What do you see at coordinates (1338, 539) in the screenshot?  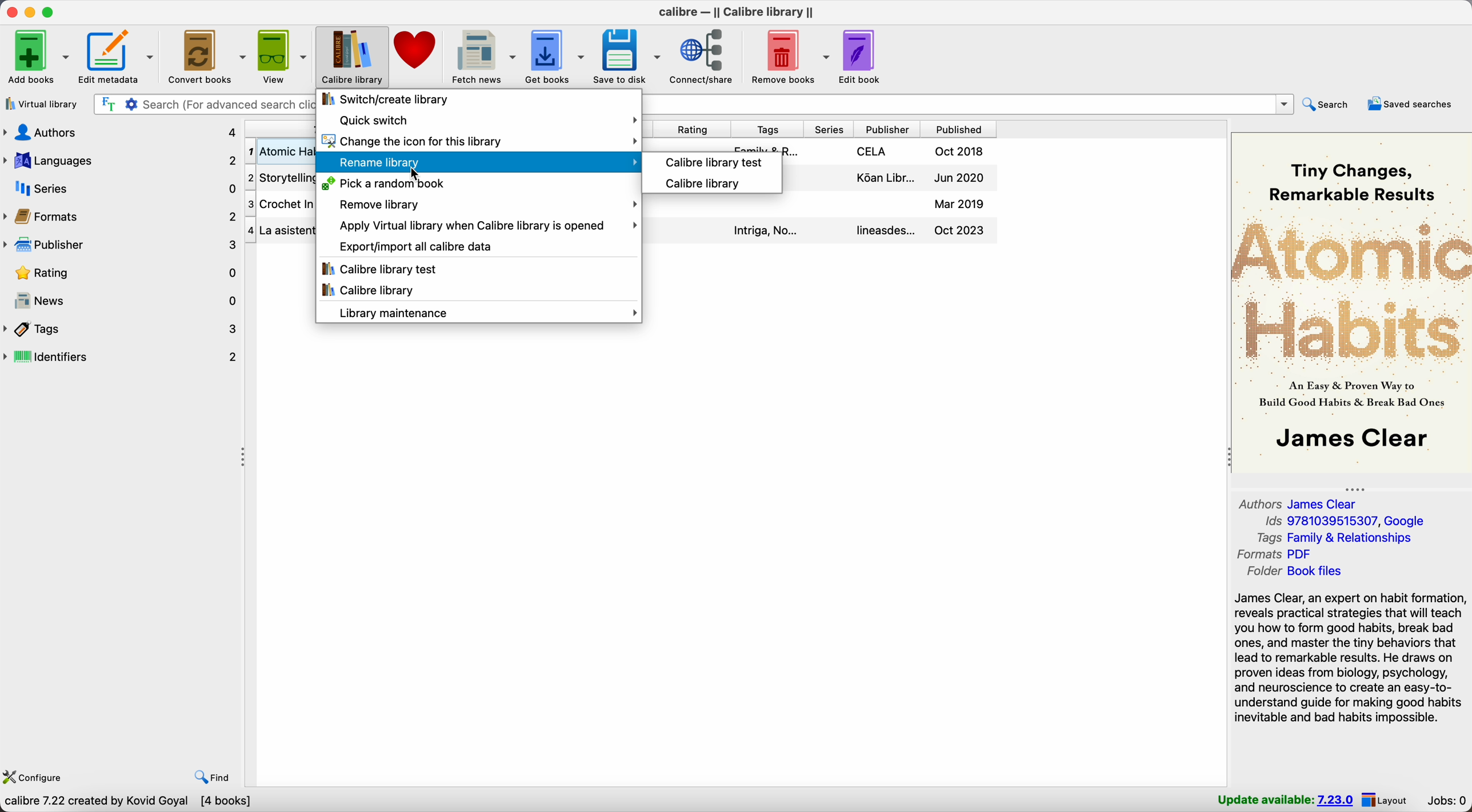 I see `tags Family & Relationships` at bounding box center [1338, 539].